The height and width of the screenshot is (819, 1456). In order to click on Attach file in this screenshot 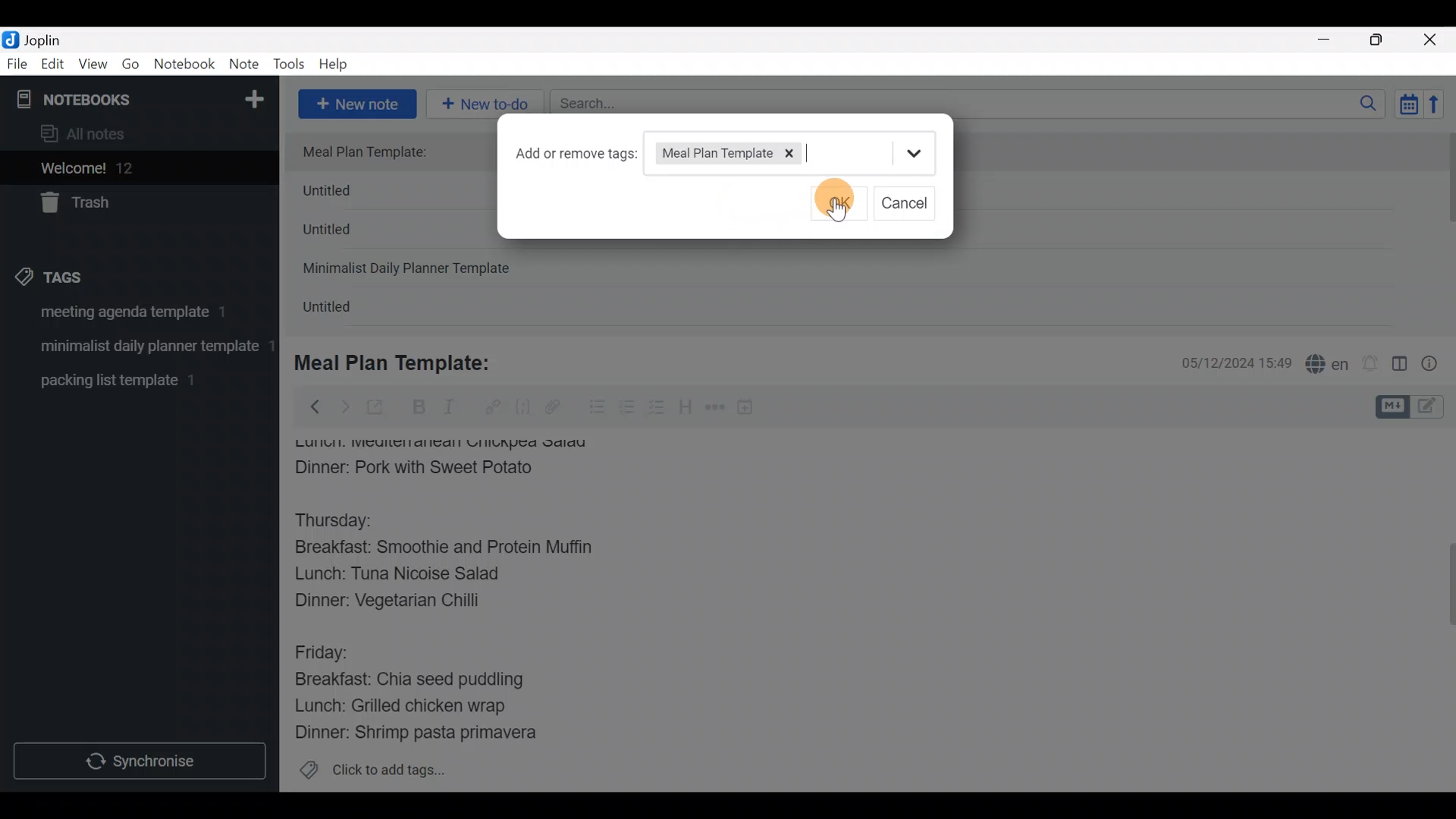, I will do `click(557, 409)`.